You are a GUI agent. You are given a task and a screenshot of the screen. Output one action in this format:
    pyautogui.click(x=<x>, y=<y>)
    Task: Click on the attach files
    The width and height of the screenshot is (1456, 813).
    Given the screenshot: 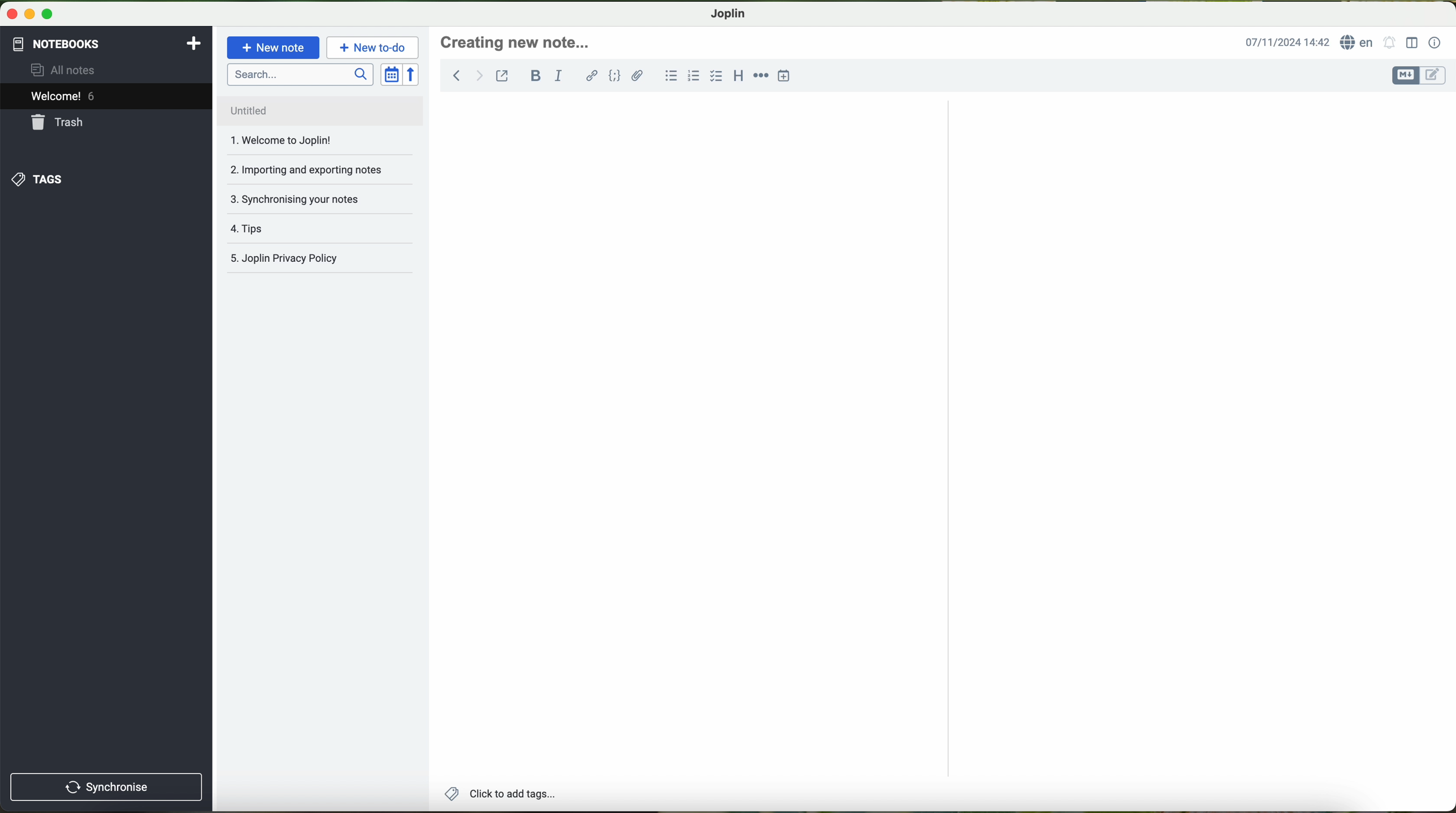 What is the action you would take?
    pyautogui.click(x=639, y=78)
    